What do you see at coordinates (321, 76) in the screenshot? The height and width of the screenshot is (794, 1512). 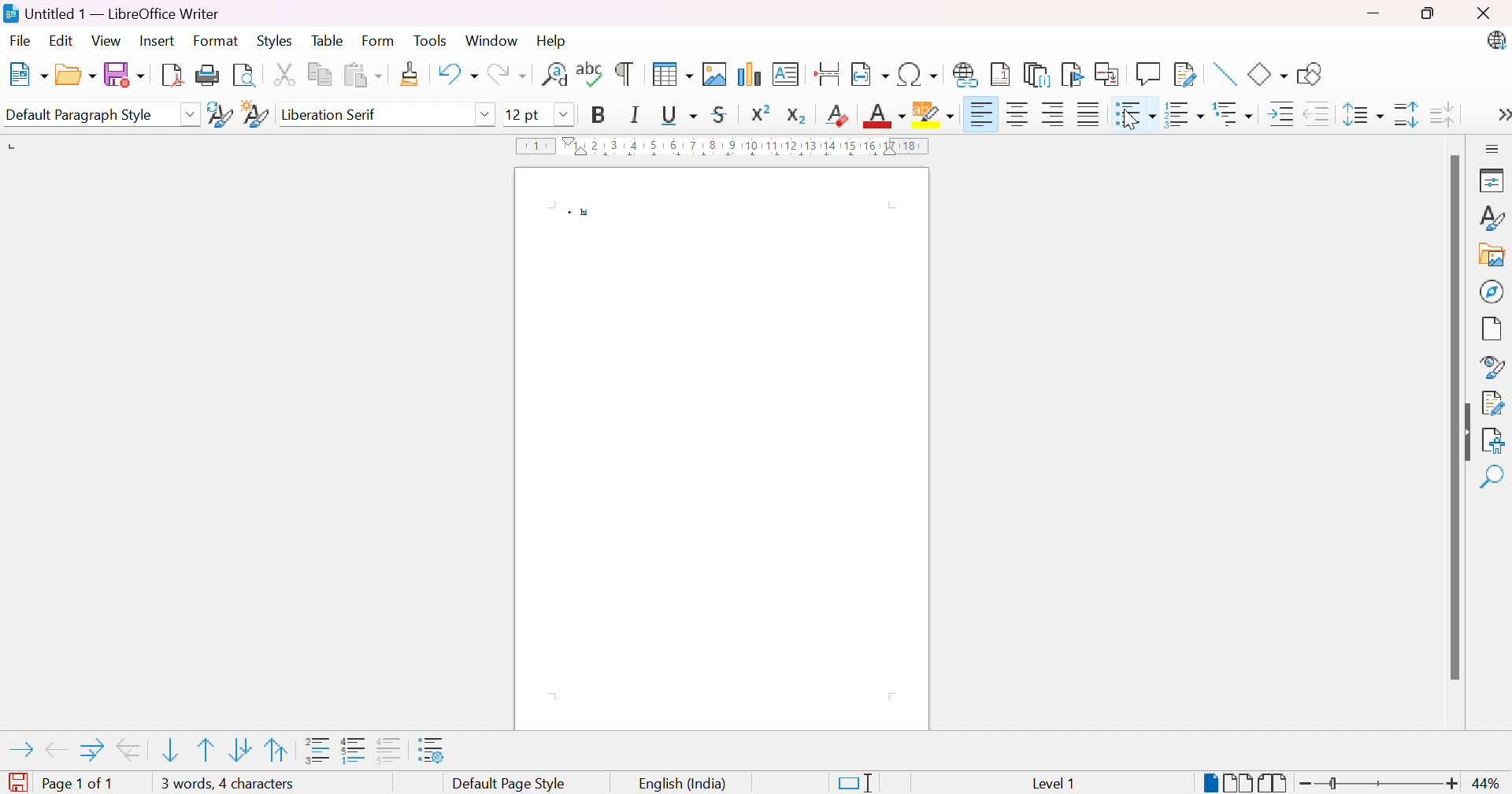 I see `Copy` at bounding box center [321, 76].